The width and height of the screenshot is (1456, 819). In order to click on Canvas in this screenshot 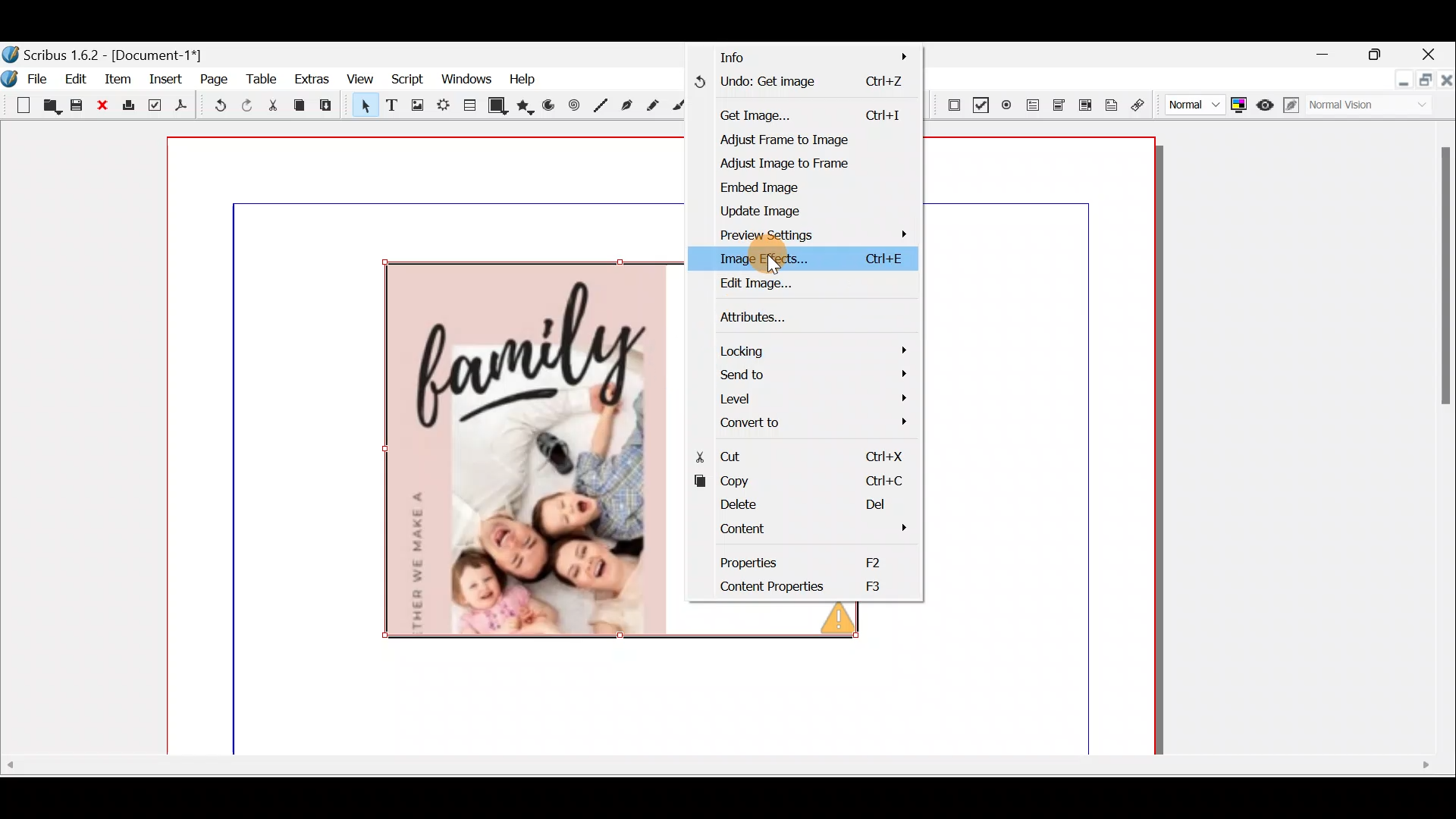, I will do `click(425, 446)`.